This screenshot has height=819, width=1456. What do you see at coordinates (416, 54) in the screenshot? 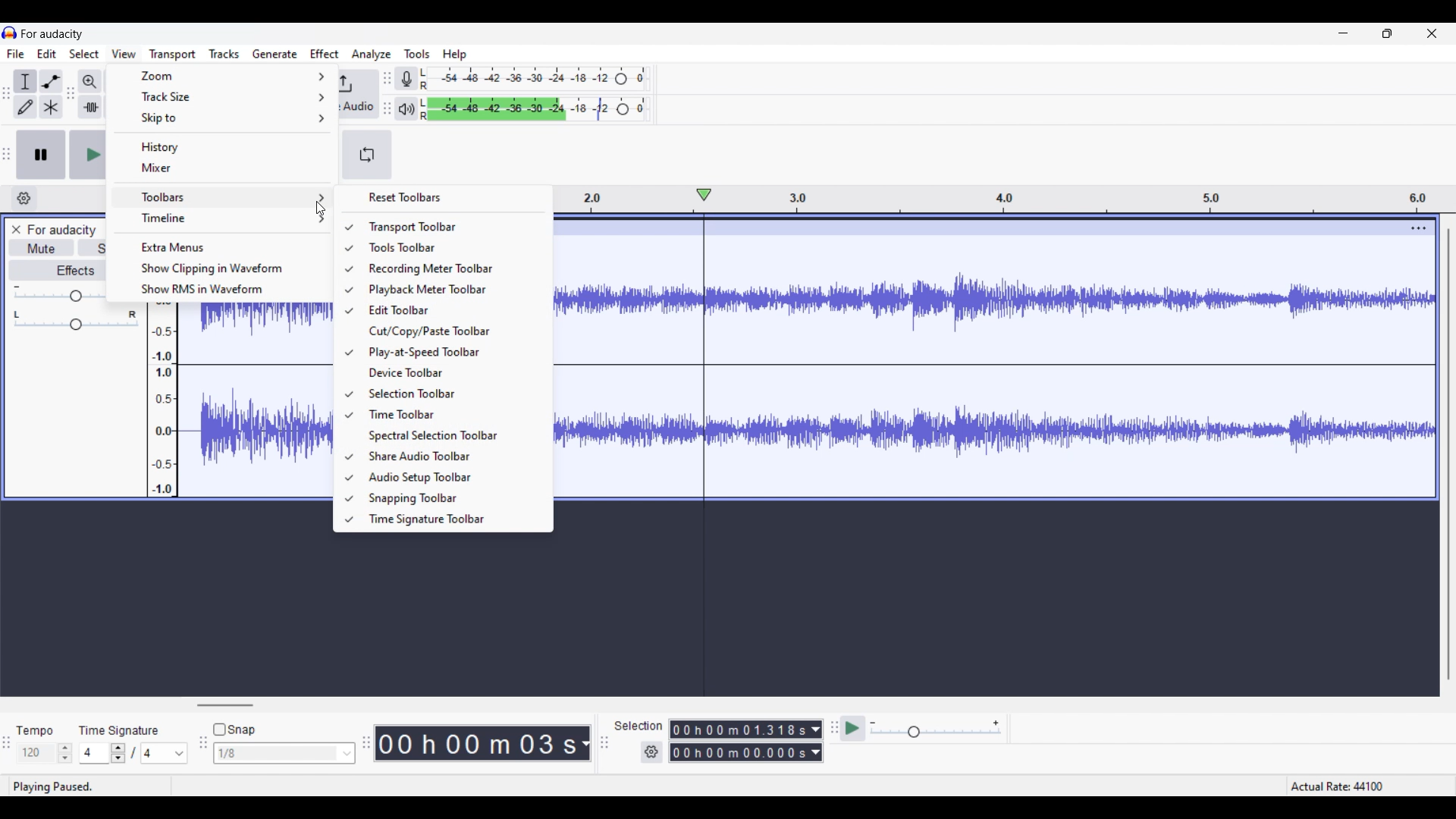
I see `Tools menu` at bounding box center [416, 54].